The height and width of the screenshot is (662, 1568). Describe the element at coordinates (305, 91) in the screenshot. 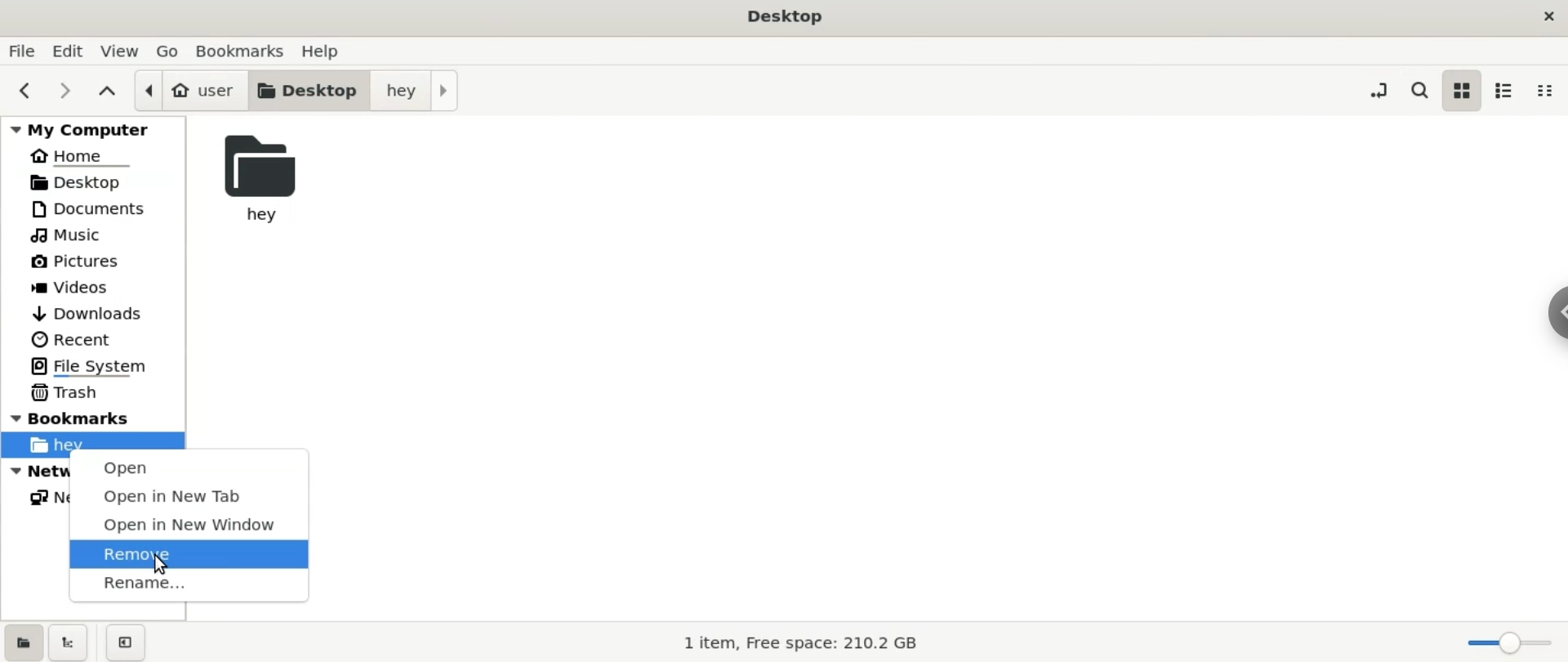

I see `desktop` at that location.